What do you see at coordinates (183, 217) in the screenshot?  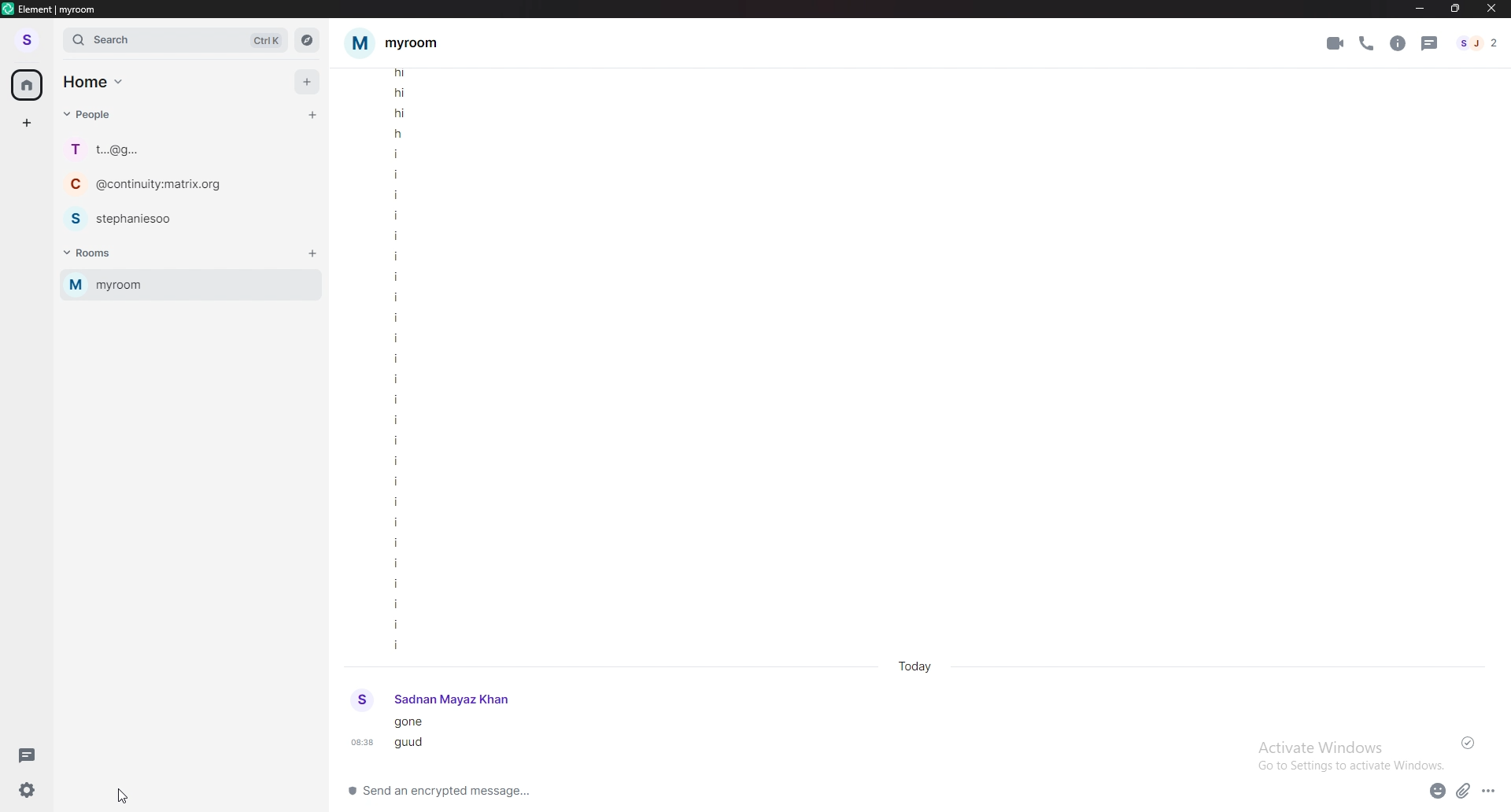 I see `chat` at bounding box center [183, 217].